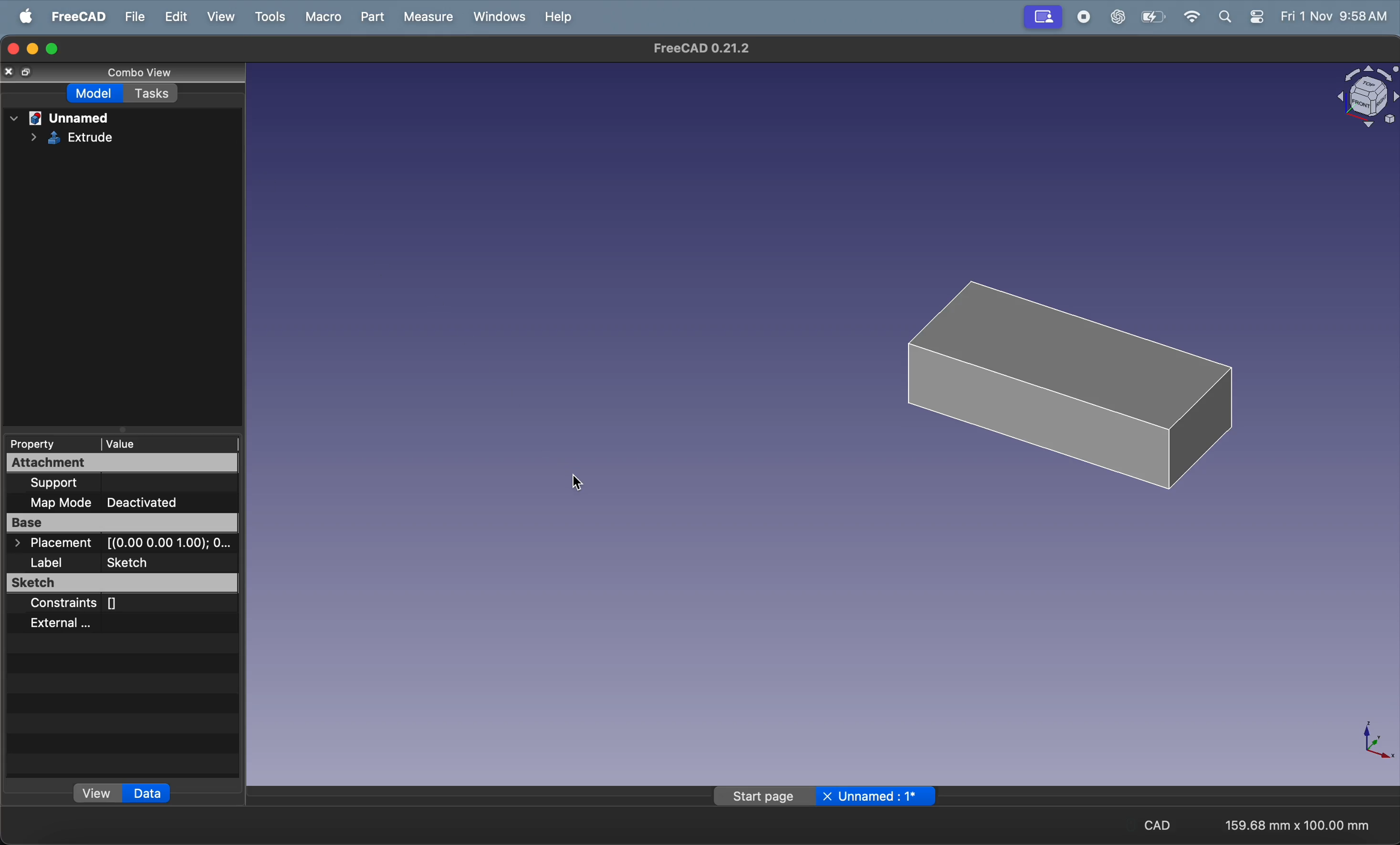 This screenshot has height=845, width=1400. I want to click on tools, so click(265, 16).